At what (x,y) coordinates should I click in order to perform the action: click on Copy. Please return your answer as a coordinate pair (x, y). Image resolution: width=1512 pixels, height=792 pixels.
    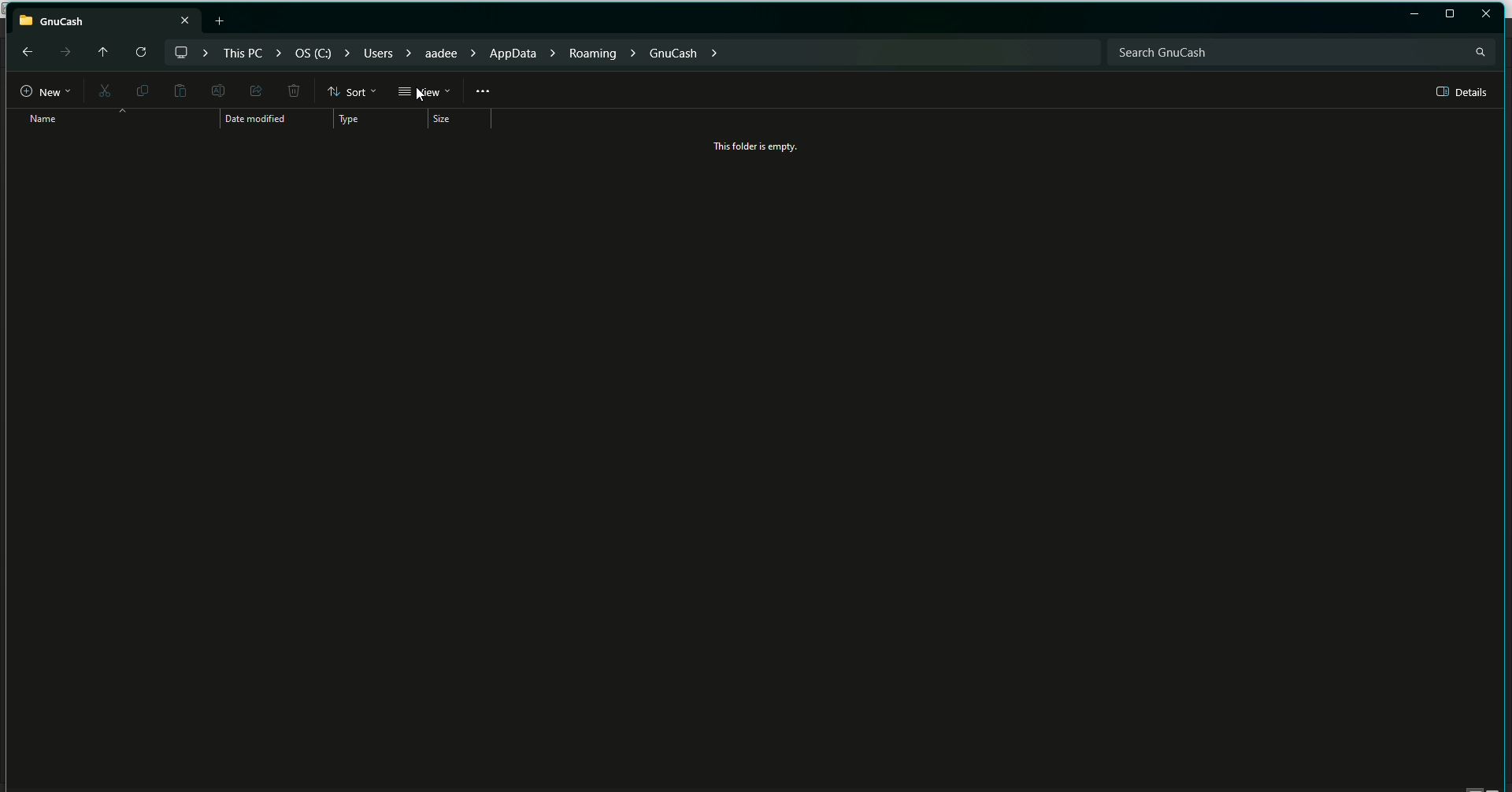
    Looking at the image, I should click on (139, 90).